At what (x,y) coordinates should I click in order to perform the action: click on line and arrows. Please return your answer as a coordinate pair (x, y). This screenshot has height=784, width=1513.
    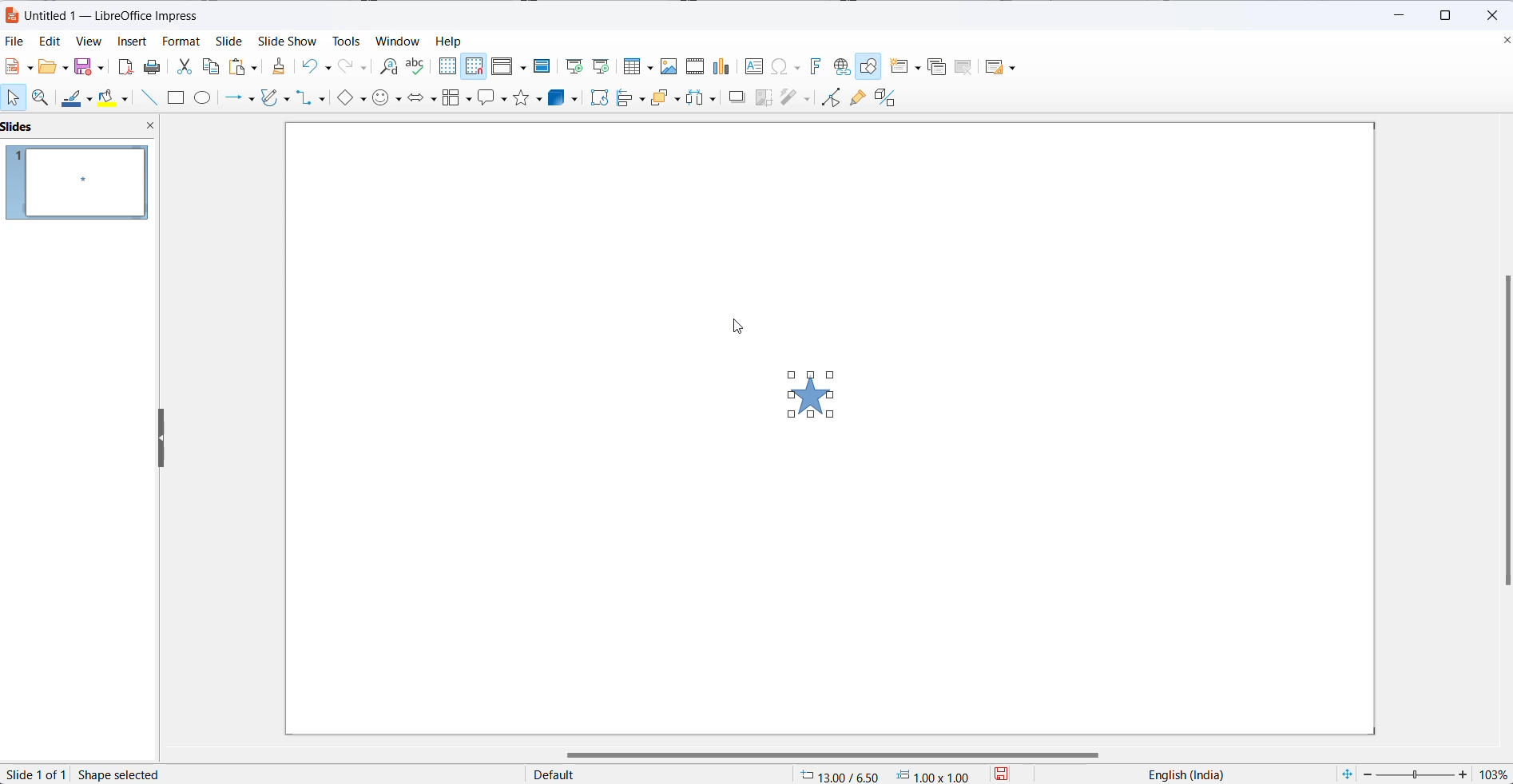
    Looking at the image, I should click on (237, 99).